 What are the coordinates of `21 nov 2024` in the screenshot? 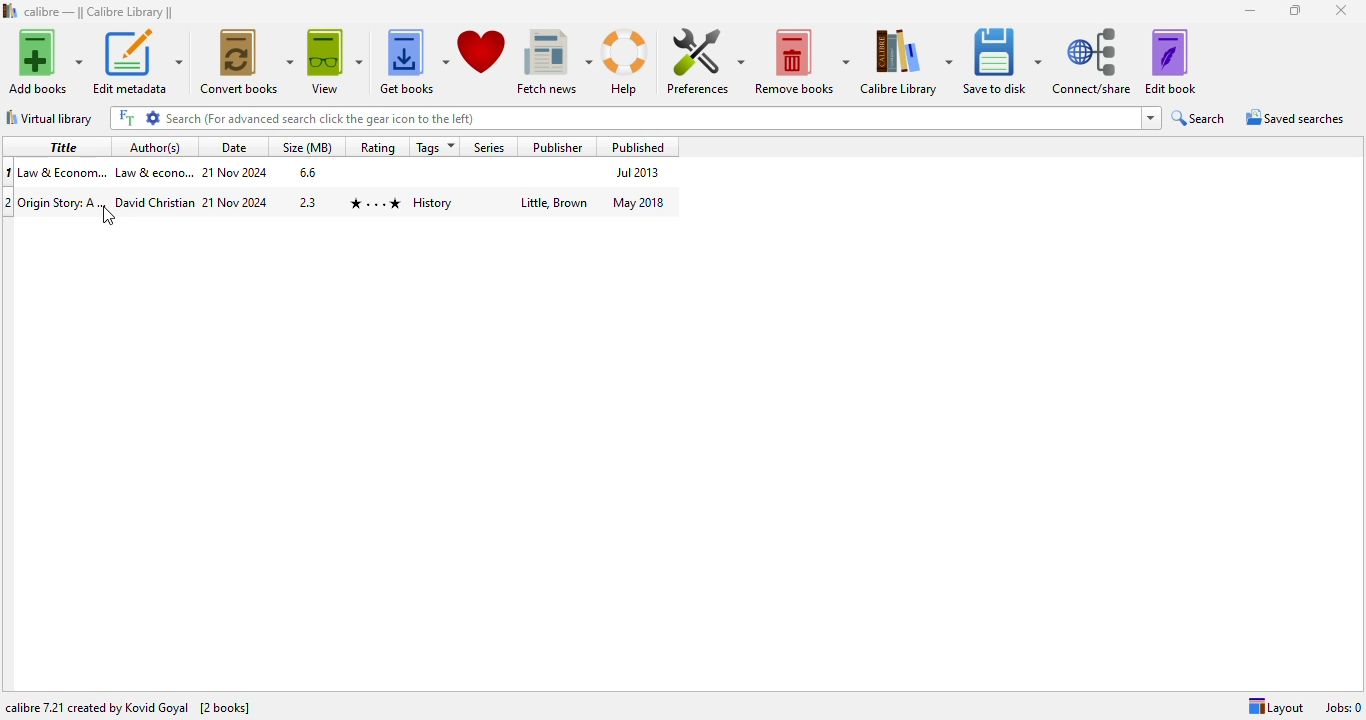 It's located at (236, 172).